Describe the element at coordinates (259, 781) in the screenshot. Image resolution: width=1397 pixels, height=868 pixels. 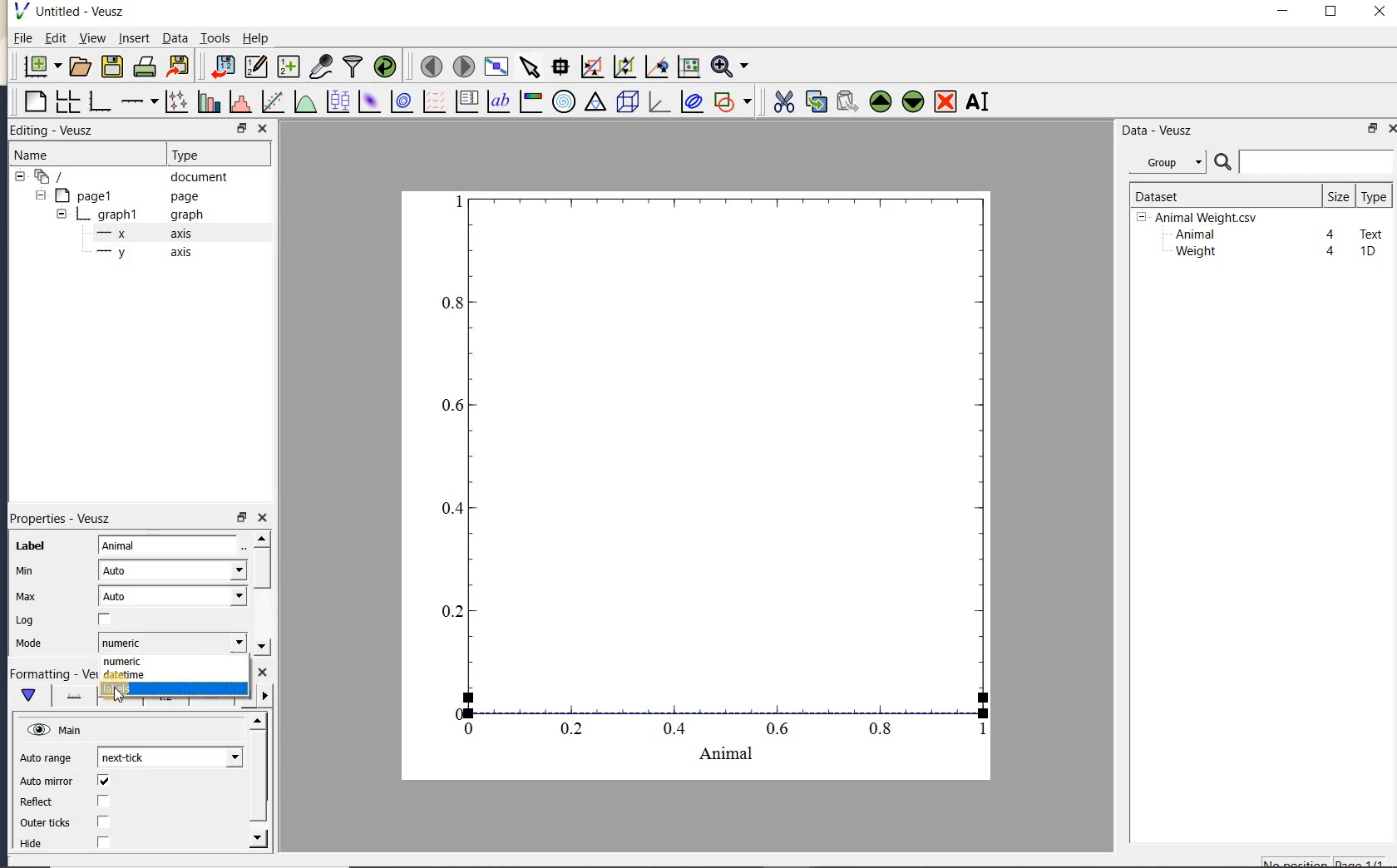
I see `scrollbar` at that location.